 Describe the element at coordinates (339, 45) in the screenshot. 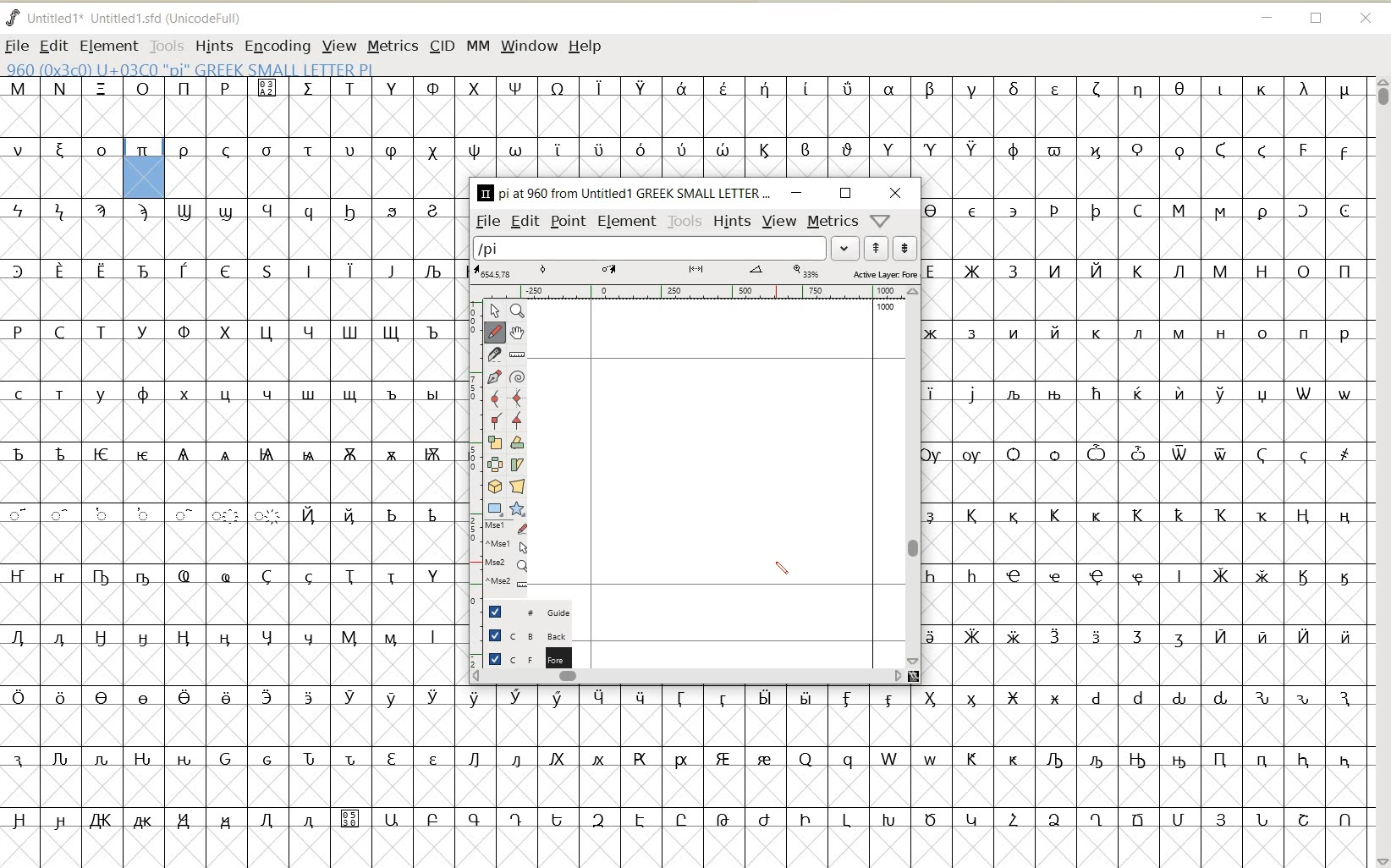

I see `VIEW` at that location.